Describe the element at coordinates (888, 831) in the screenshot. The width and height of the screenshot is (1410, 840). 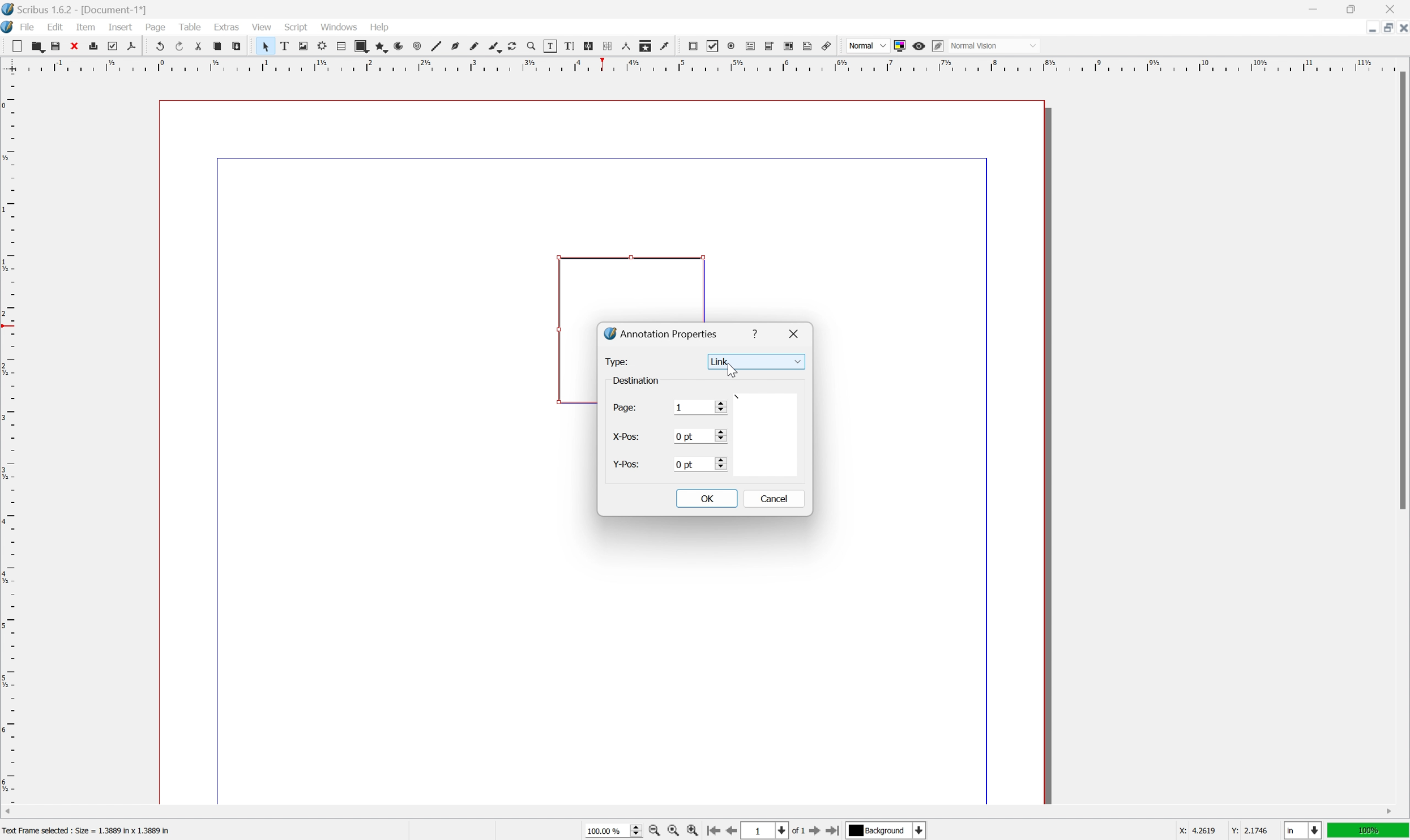
I see `select current layer` at that location.